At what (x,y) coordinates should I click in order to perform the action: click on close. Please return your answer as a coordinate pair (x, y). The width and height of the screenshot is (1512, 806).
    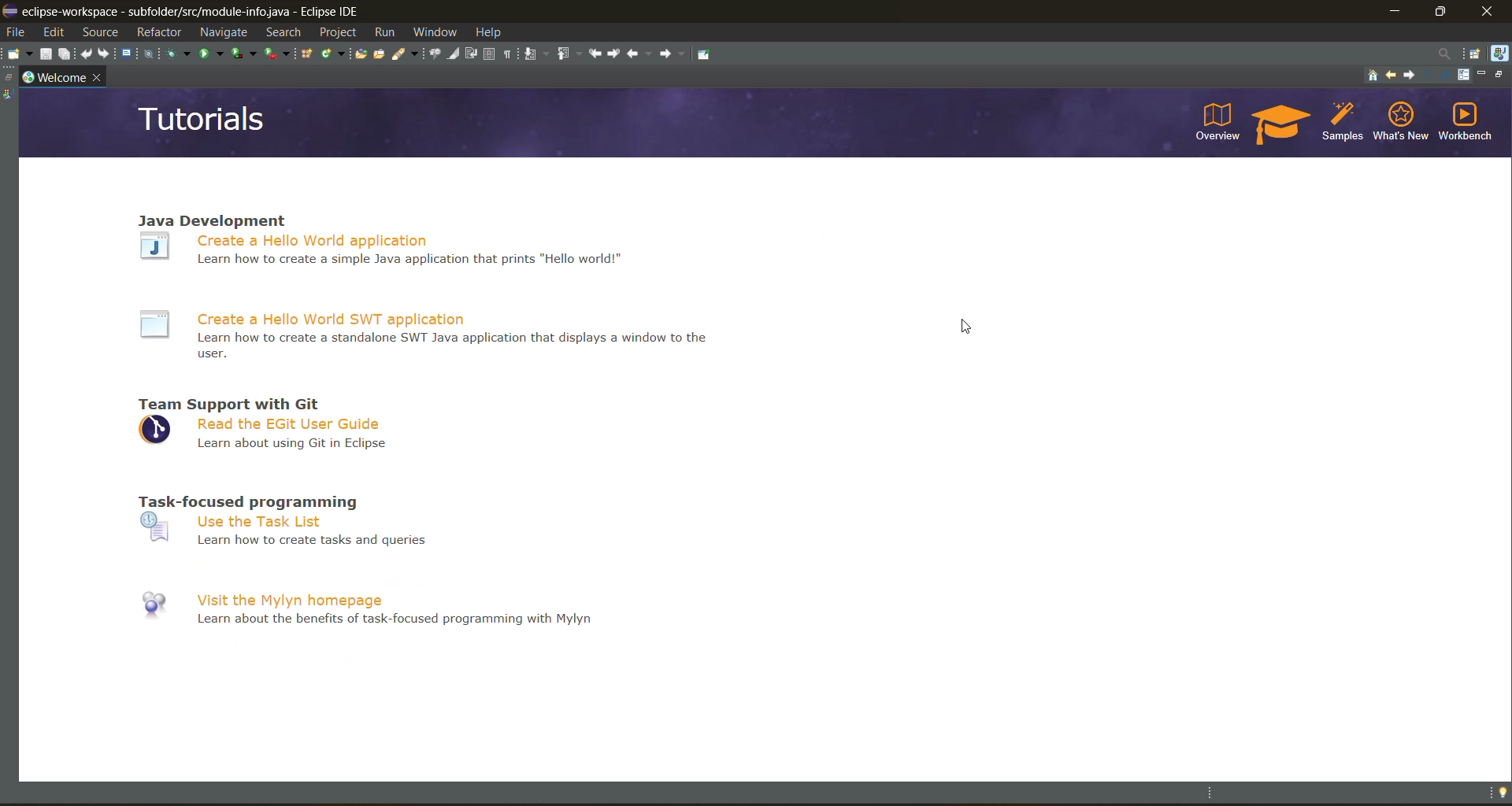
    Looking at the image, I should click on (1489, 11).